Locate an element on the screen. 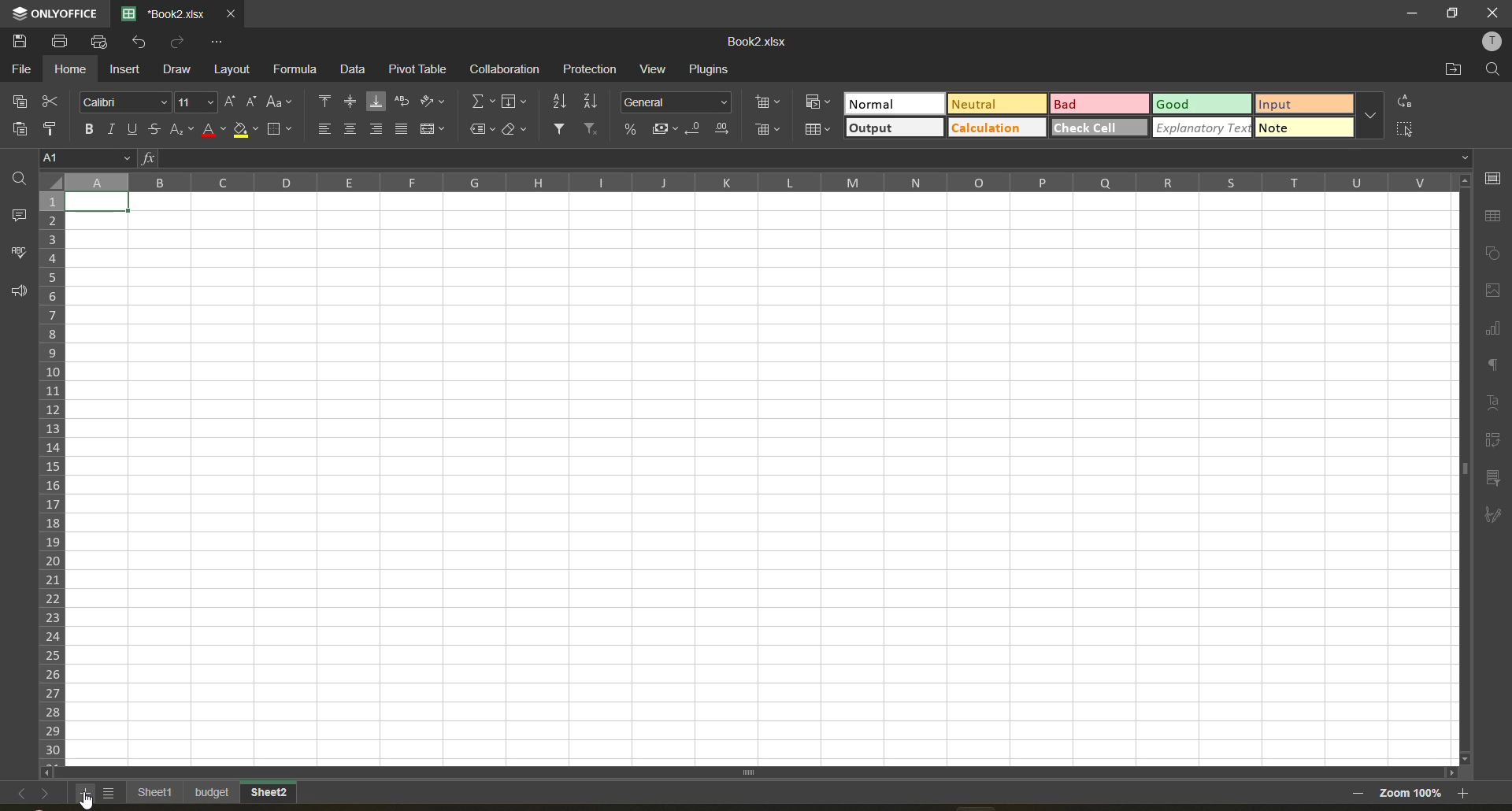 This screenshot has height=811, width=1512. filter is located at coordinates (563, 128).